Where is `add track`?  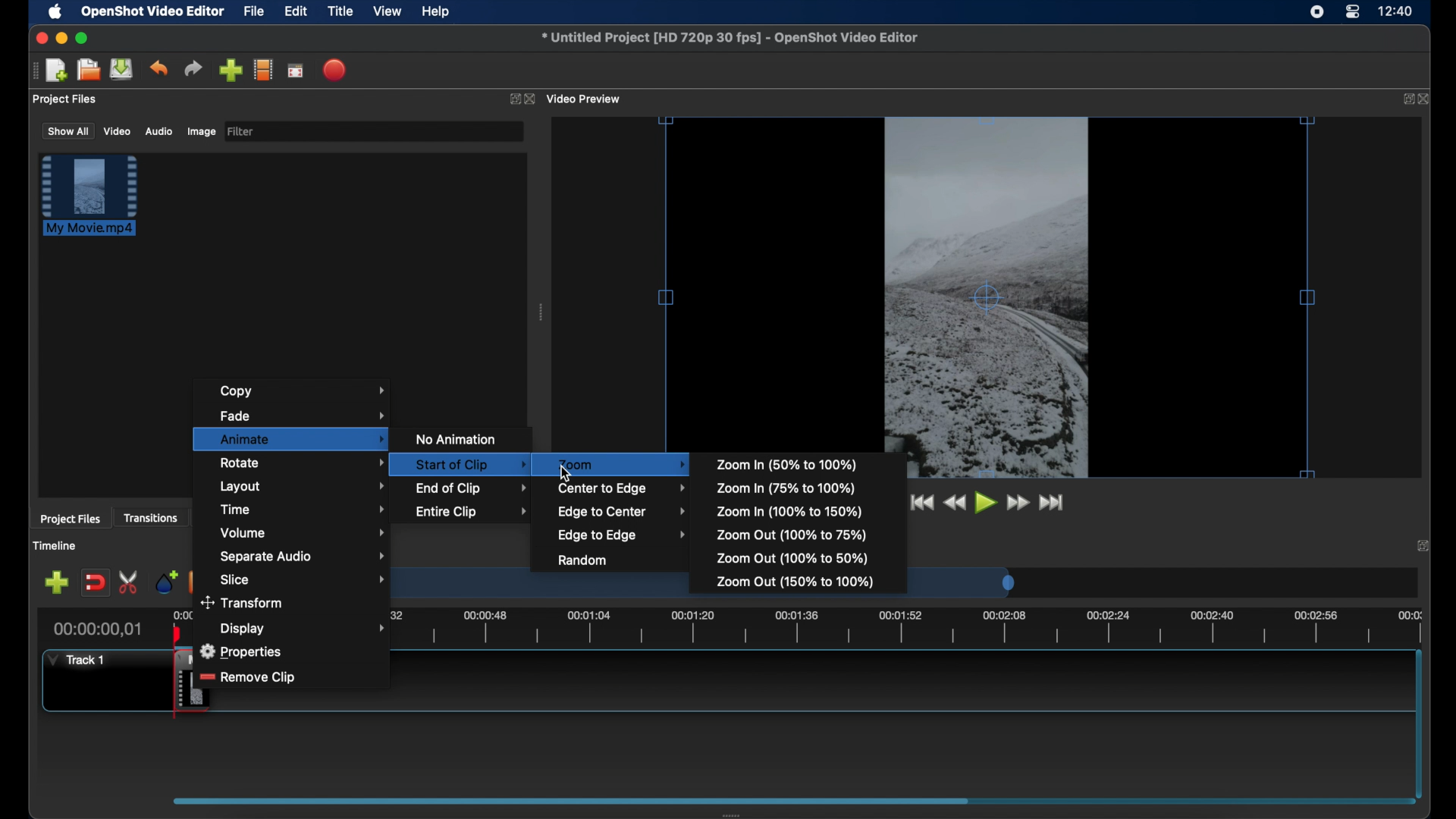 add track is located at coordinates (56, 583).